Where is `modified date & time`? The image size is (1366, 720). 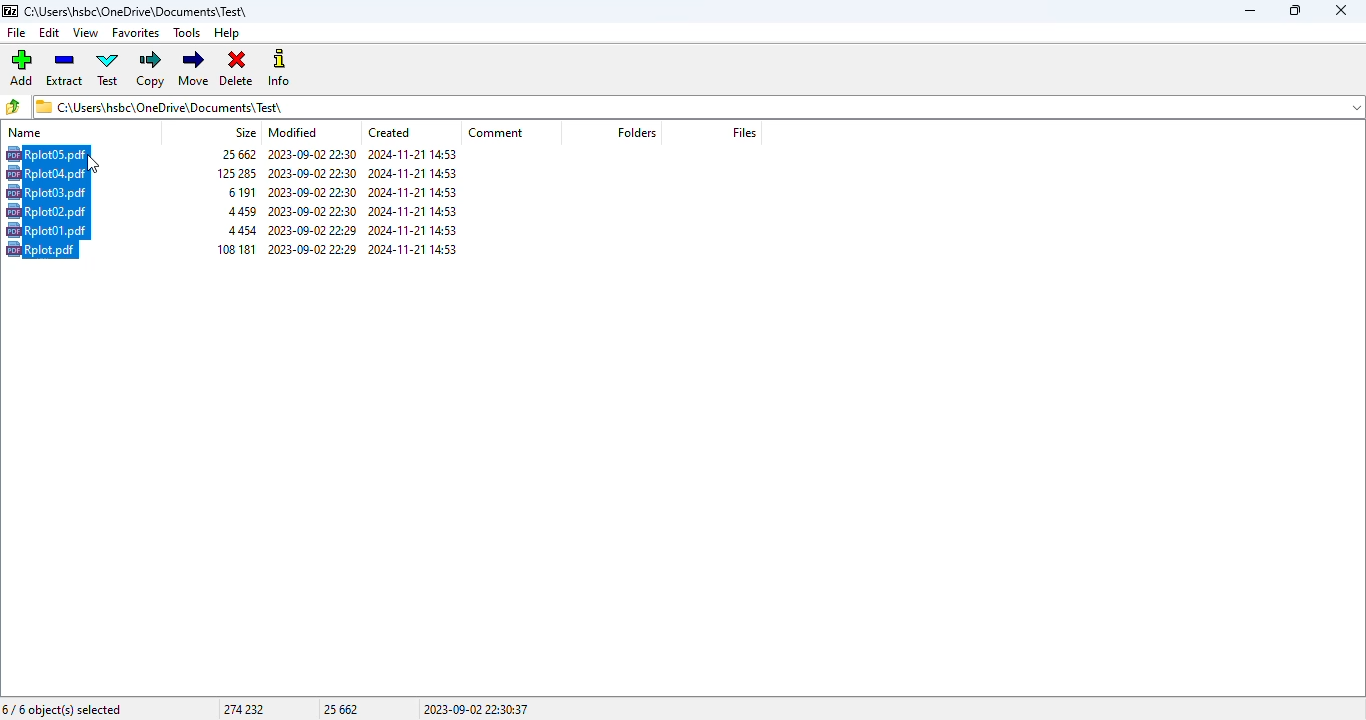
modified date & time is located at coordinates (313, 248).